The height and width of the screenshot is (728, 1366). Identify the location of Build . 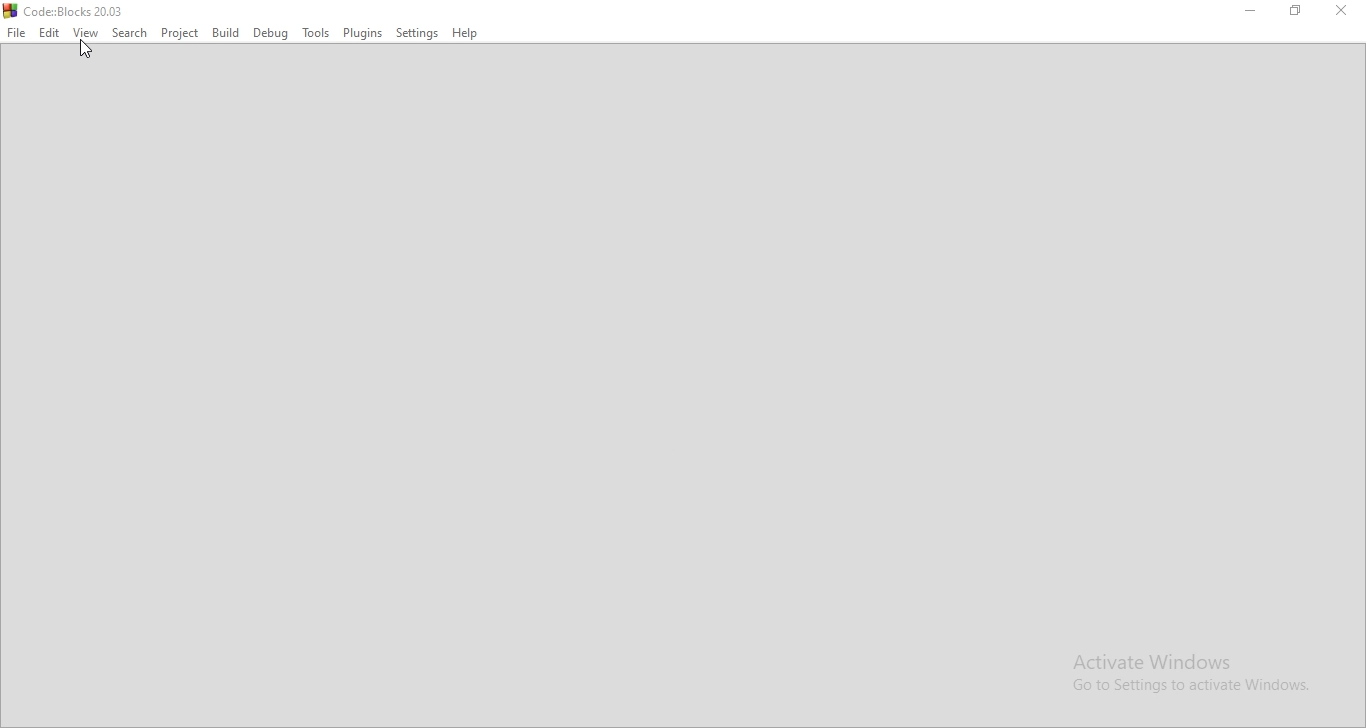
(223, 33).